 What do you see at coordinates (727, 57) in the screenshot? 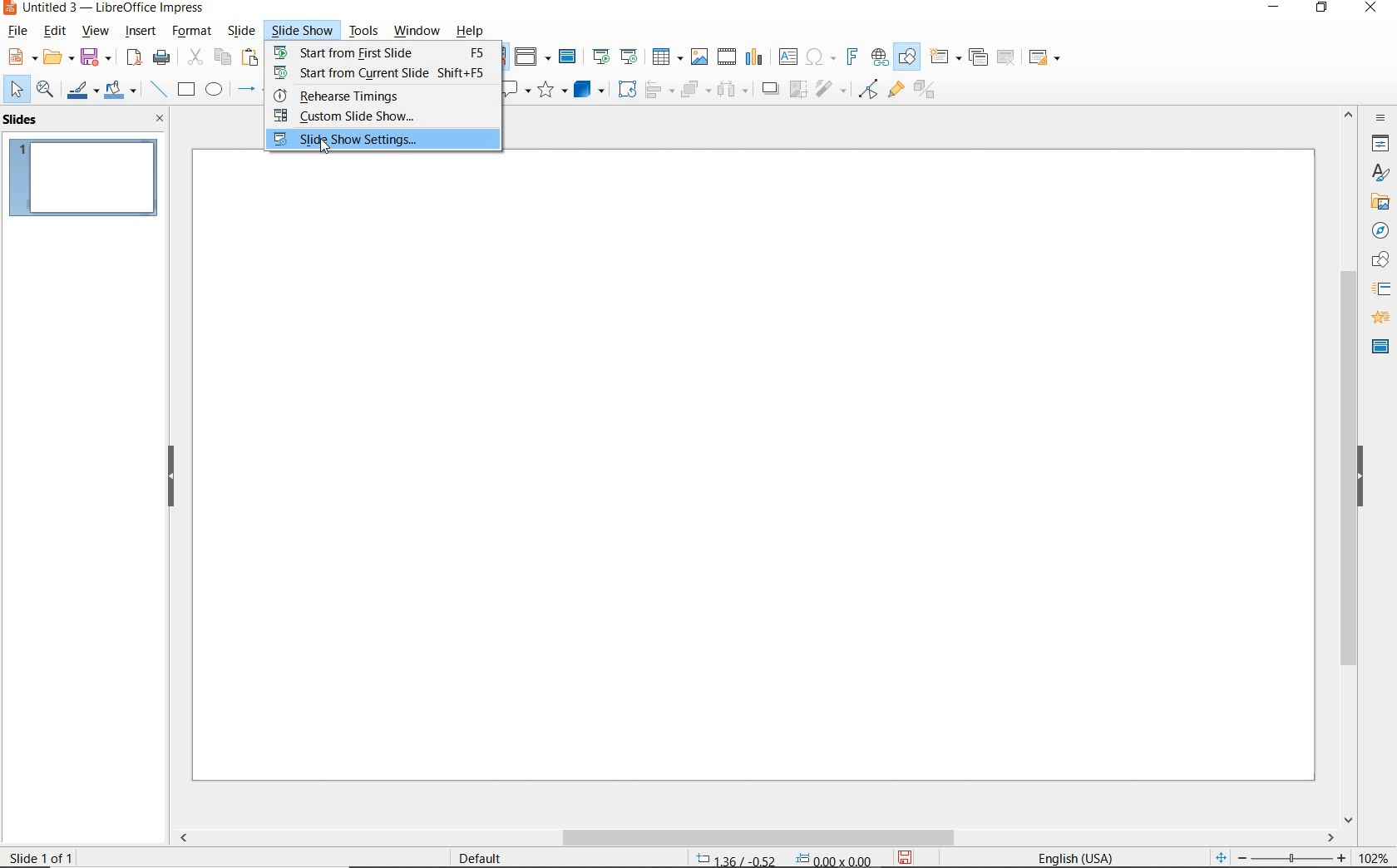
I see `INSERT VIDEO` at bounding box center [727, 57].